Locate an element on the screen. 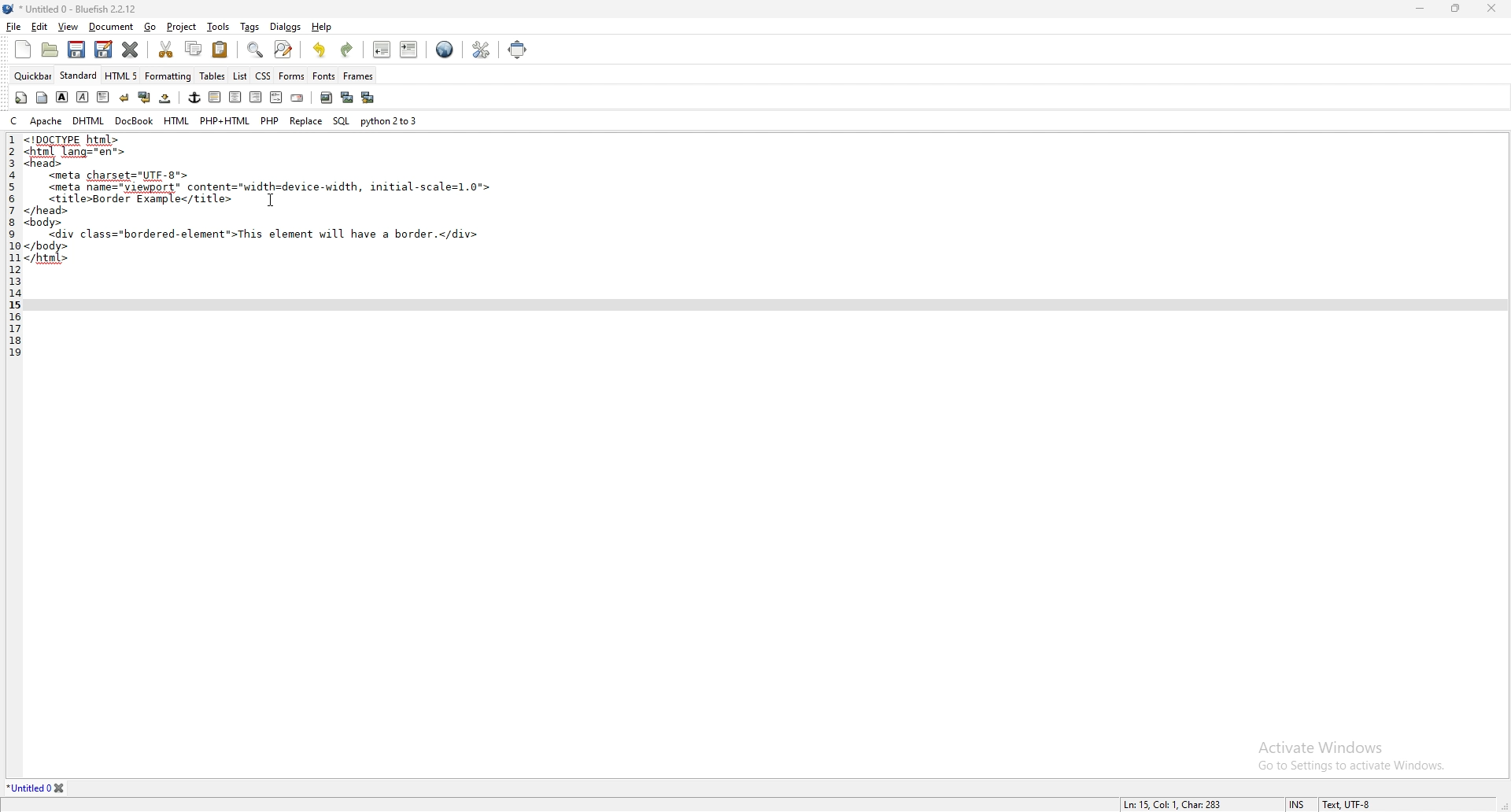 The height and width of the screenshot is (812, 1511). *Untitled 0 is located at coordinates (38, 788).